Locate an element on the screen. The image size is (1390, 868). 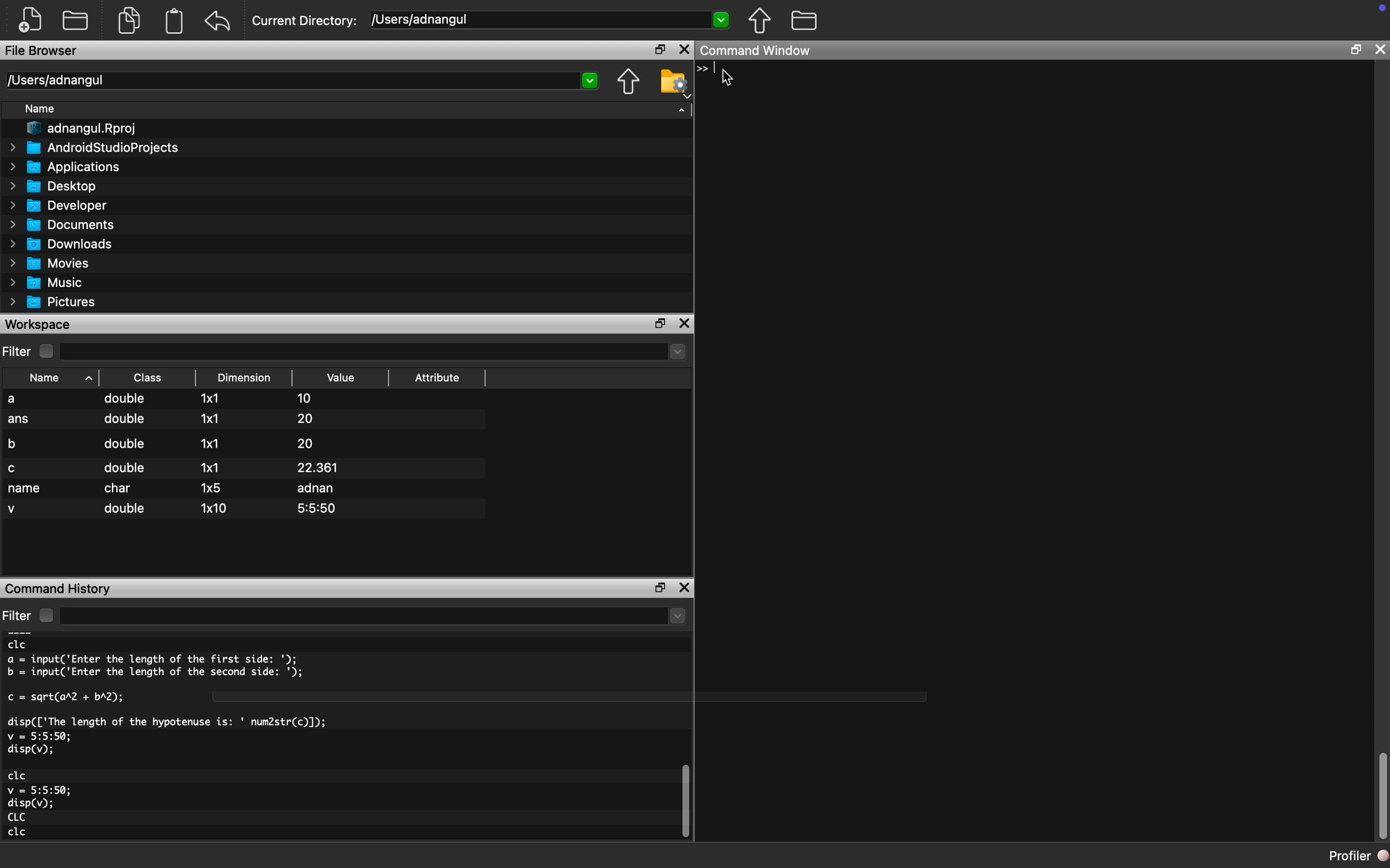
one directory up is located at coordinates (763, 23).